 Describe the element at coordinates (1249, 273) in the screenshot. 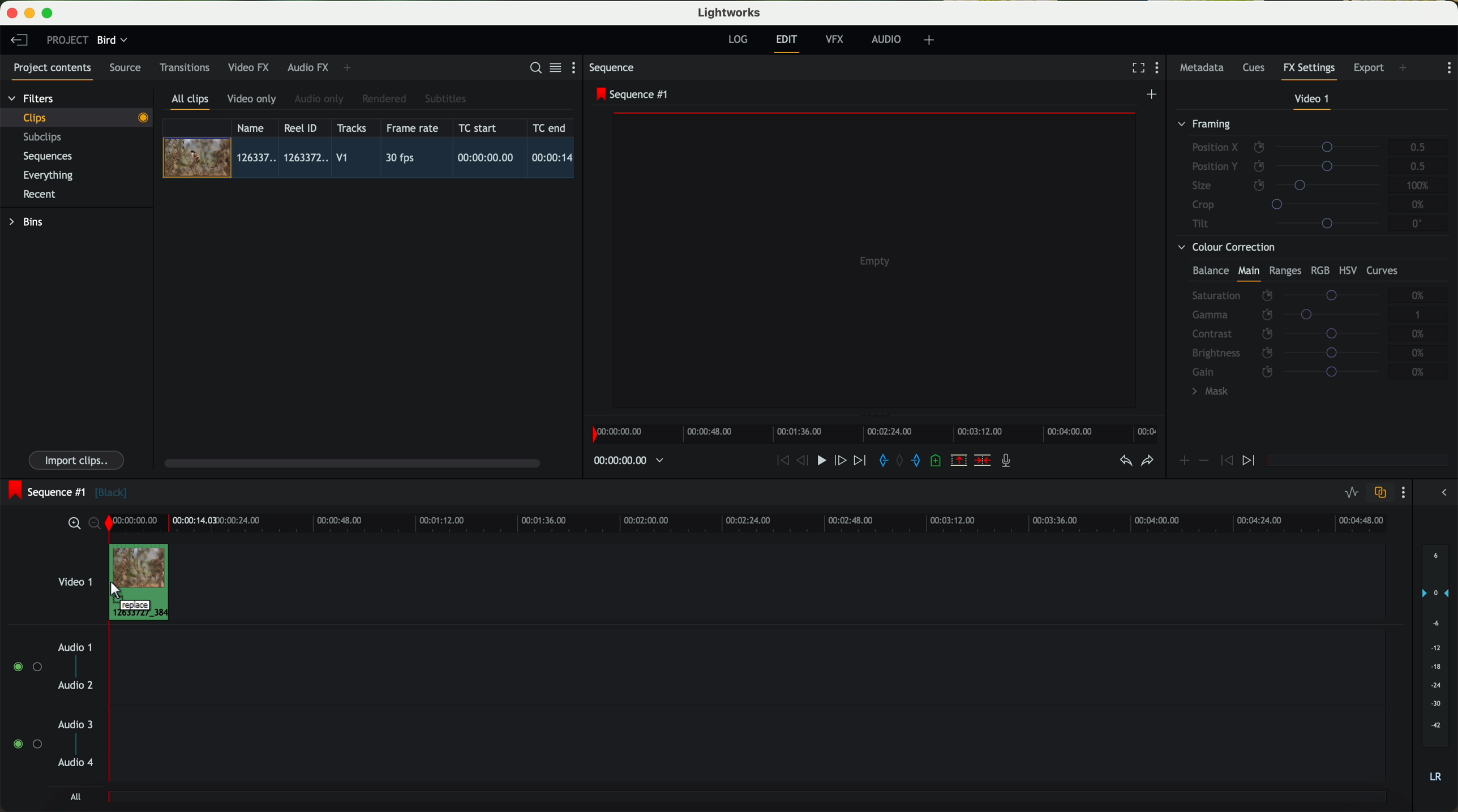

I see `main` at that location.